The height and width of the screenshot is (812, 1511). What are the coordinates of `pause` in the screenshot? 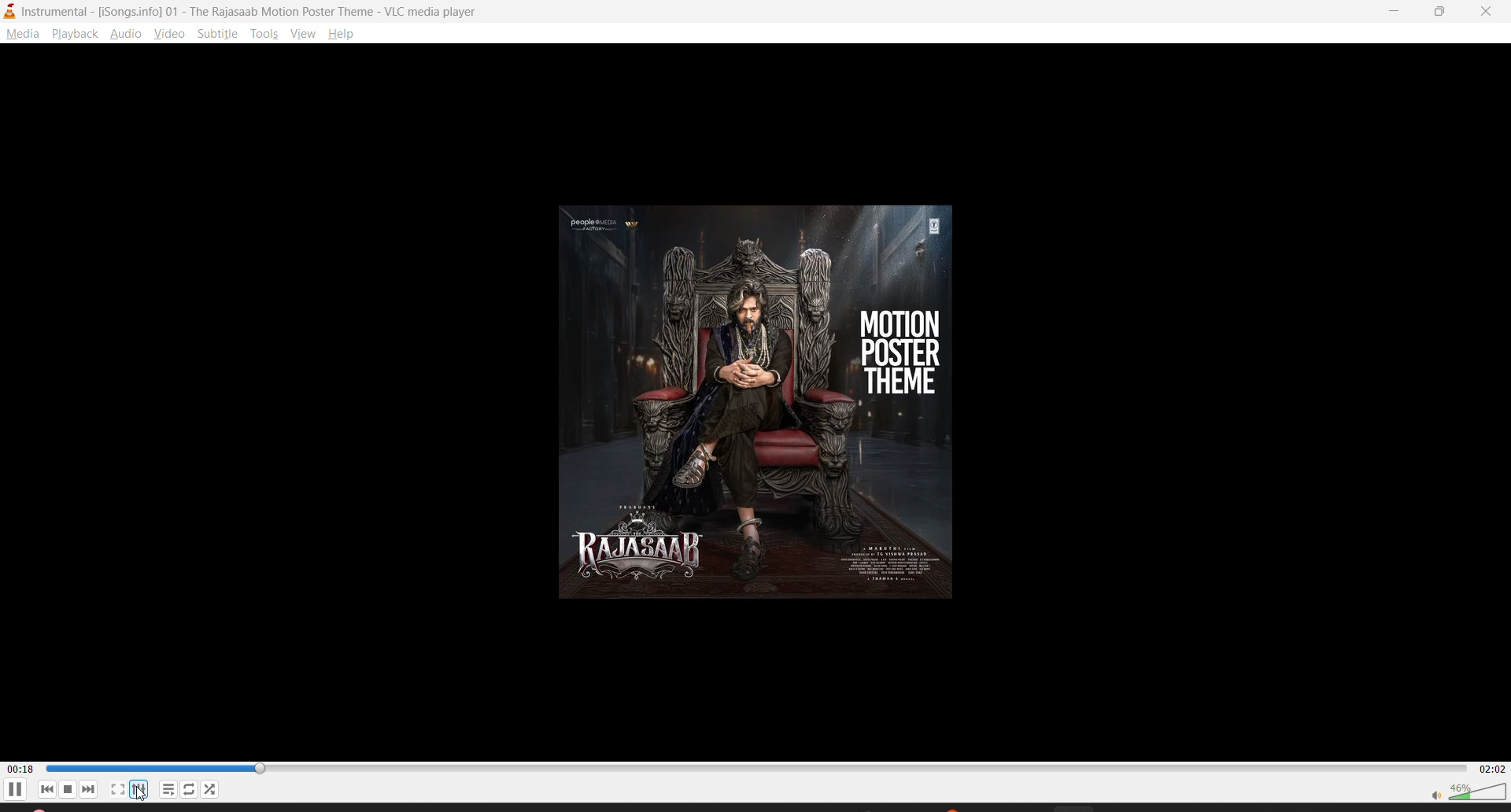 It's located at (17, 792).